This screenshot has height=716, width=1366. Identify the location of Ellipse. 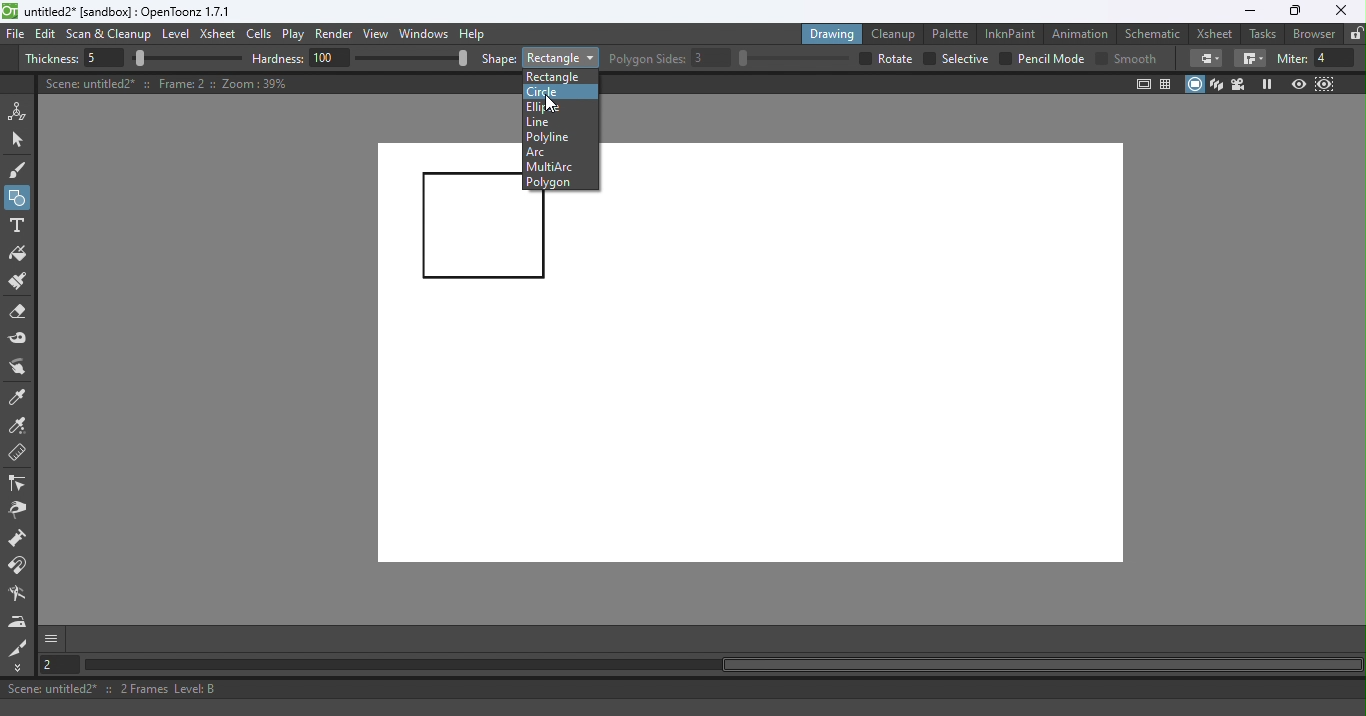
(549, 108).